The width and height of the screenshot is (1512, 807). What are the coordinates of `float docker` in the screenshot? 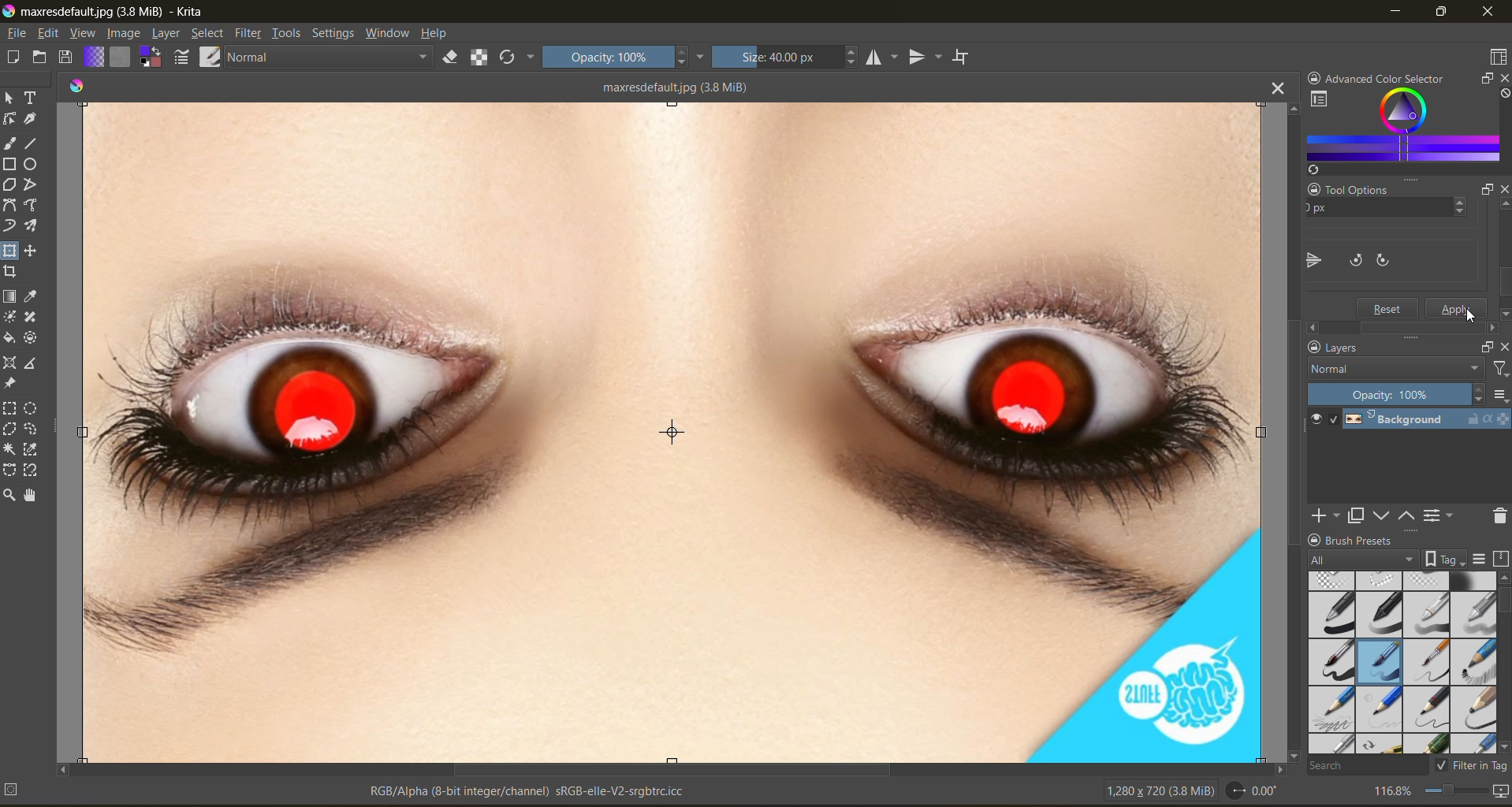 It's located at (1484, 192).